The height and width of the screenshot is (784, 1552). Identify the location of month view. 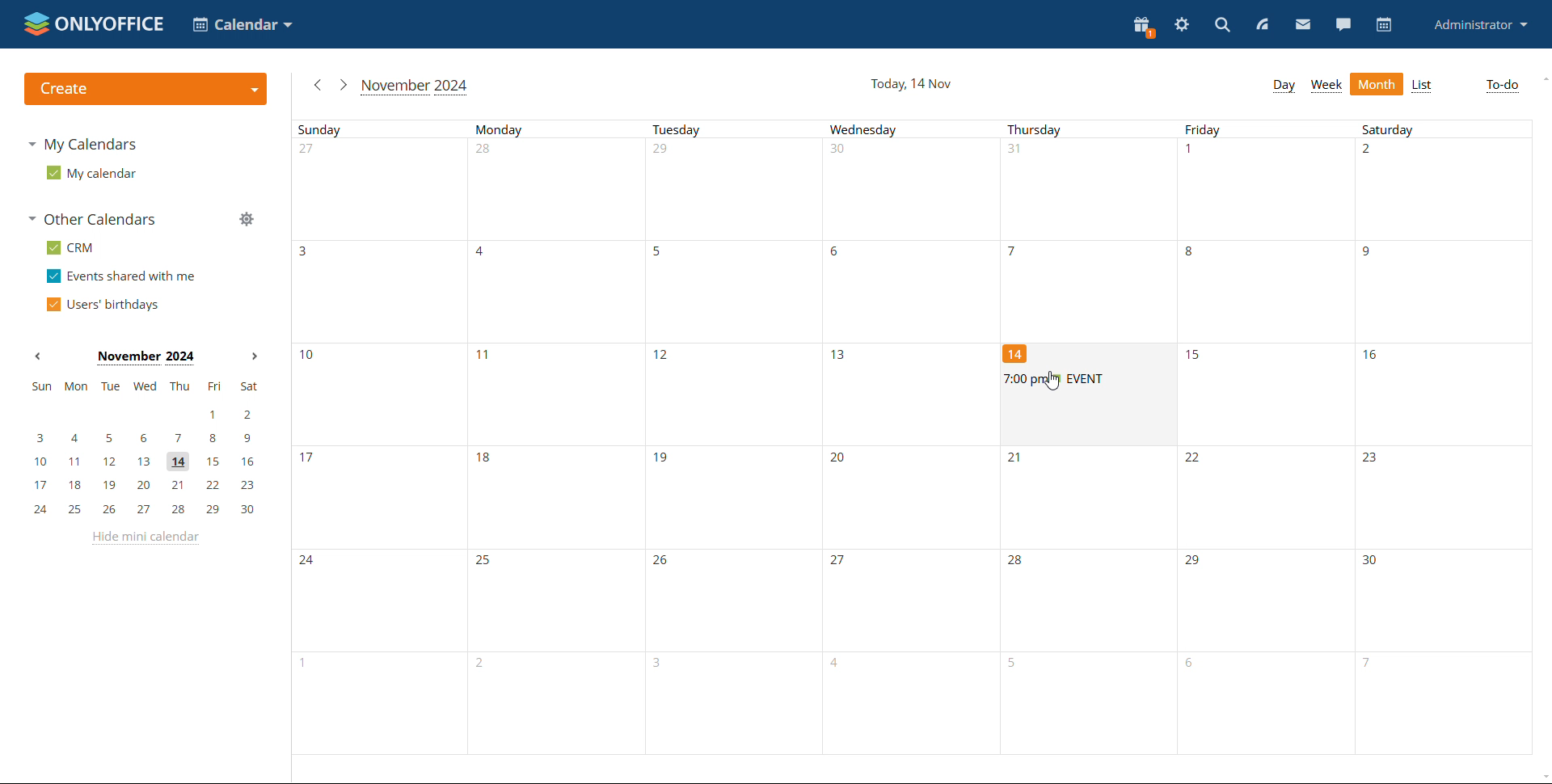
(1377, 83).